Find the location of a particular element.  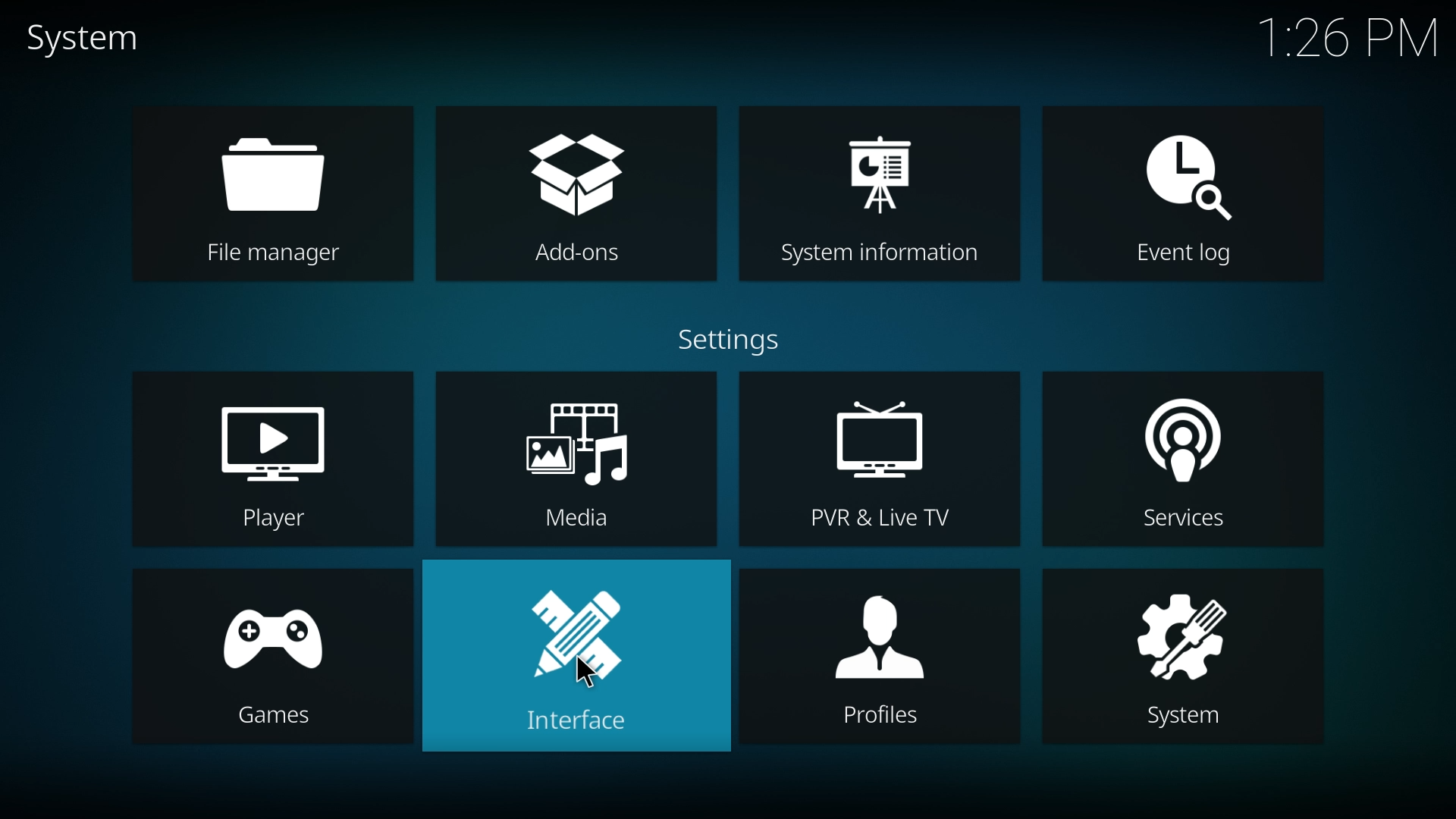

time is located at coordinates (1346, 36).